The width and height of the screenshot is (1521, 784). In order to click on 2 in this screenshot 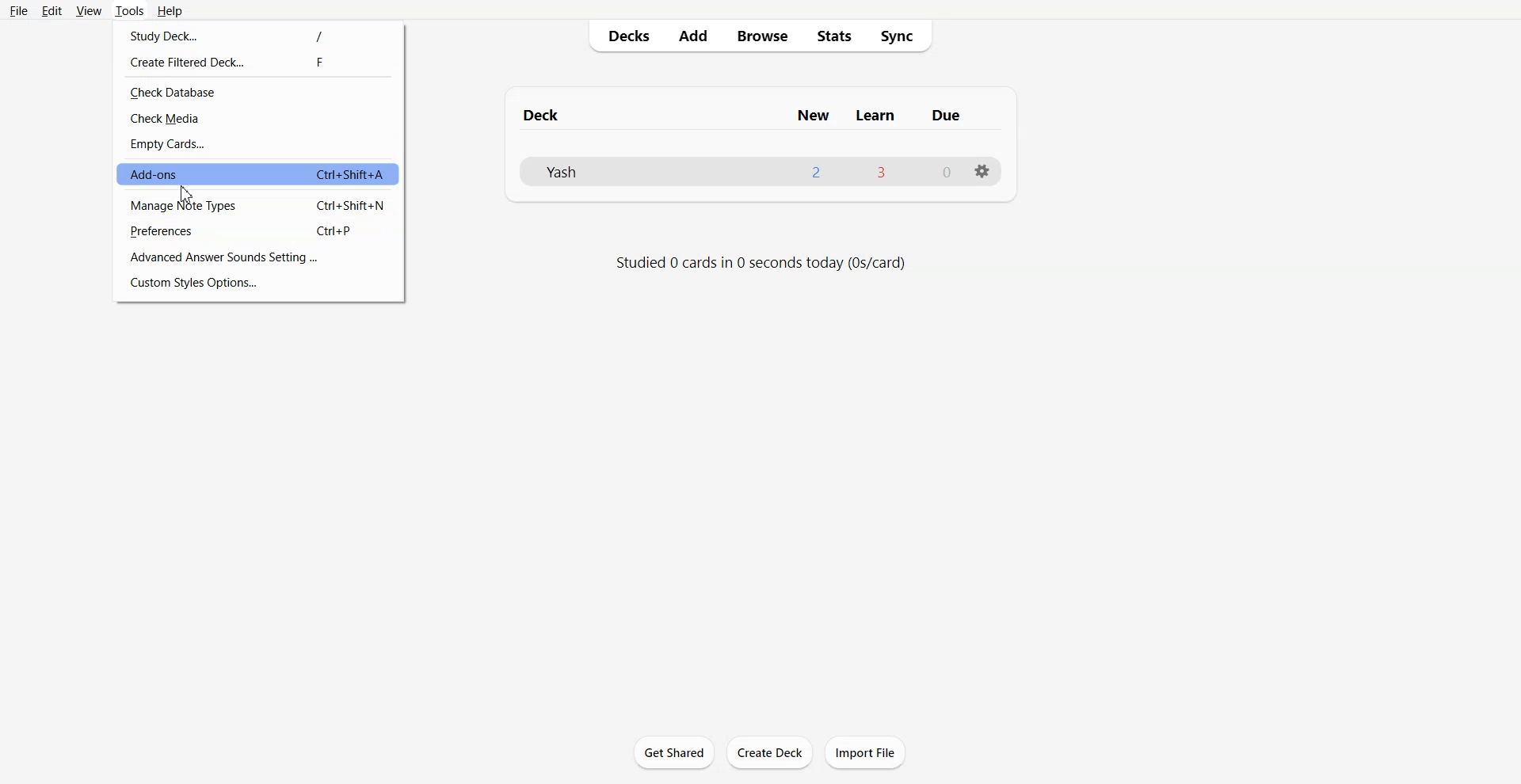, I will do `click(815, 173)`.